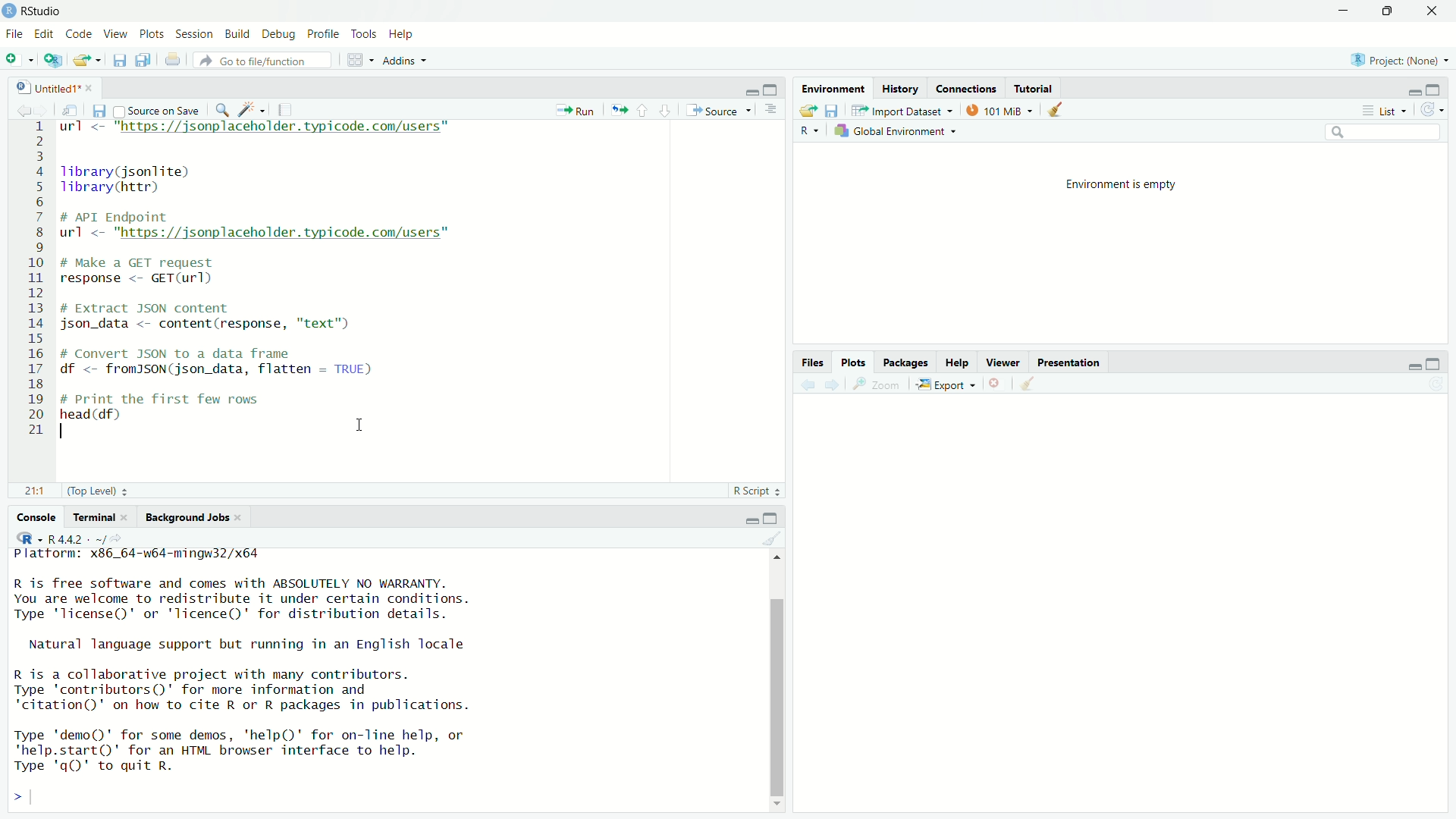  What do you see at coordinates (749, 90) in the screenshot?
I see `Minimize` at bounding box center [749, 90].